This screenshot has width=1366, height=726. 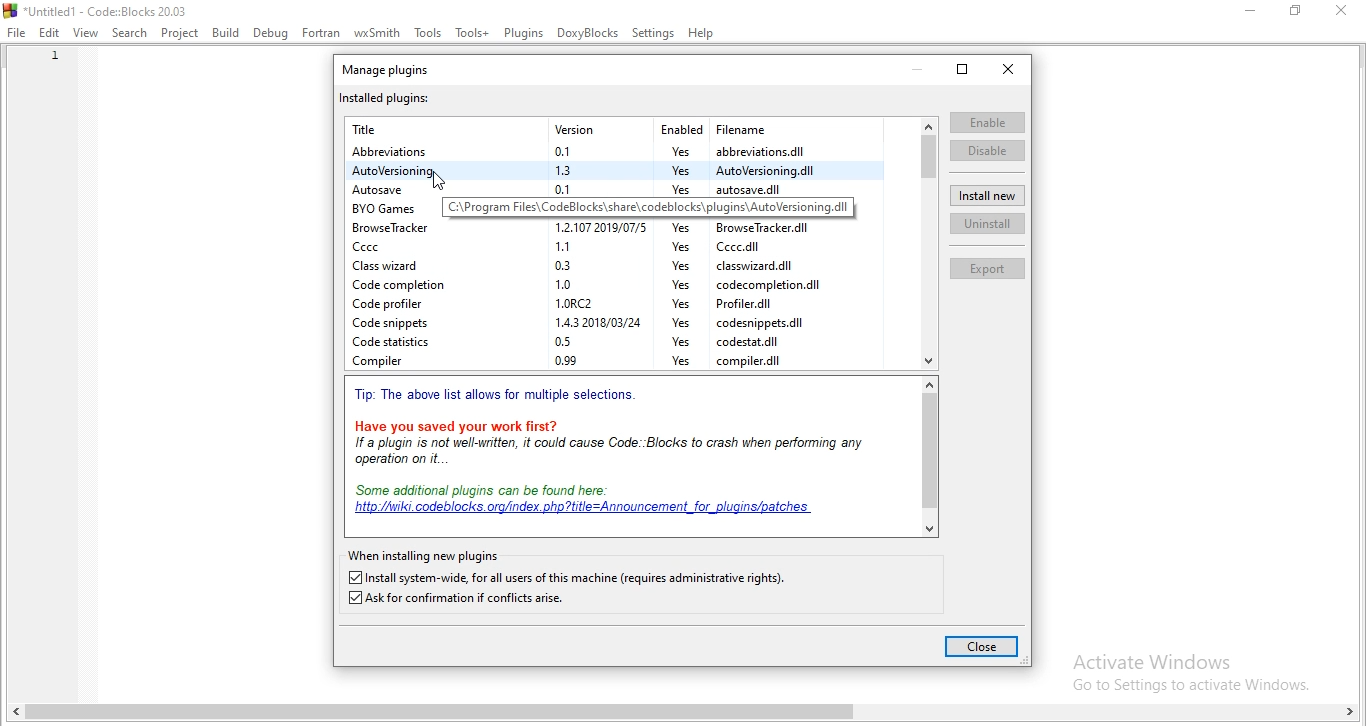 What do you see at coordinates (440, 181) in the screenshot?
I see `cursor` at bounding box center [440, 181].